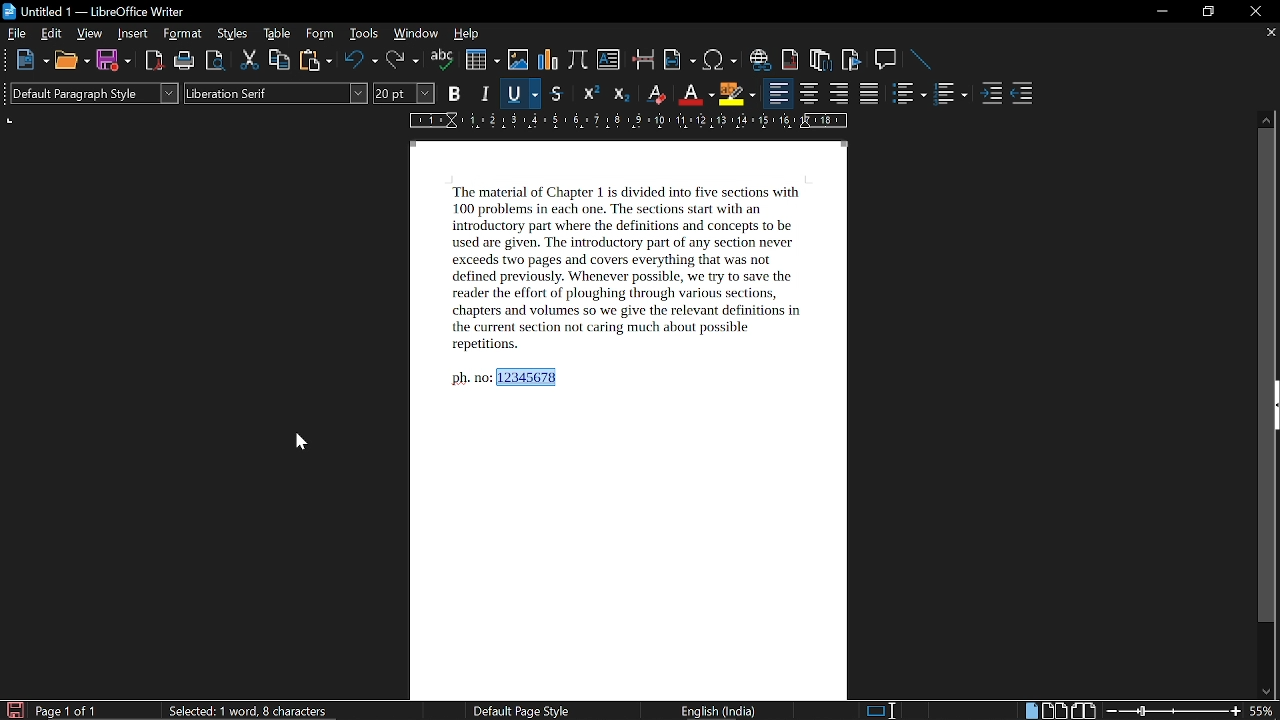 The width and height of the screenshot is (1280, 720). I want to click on view, so click(90, 35).